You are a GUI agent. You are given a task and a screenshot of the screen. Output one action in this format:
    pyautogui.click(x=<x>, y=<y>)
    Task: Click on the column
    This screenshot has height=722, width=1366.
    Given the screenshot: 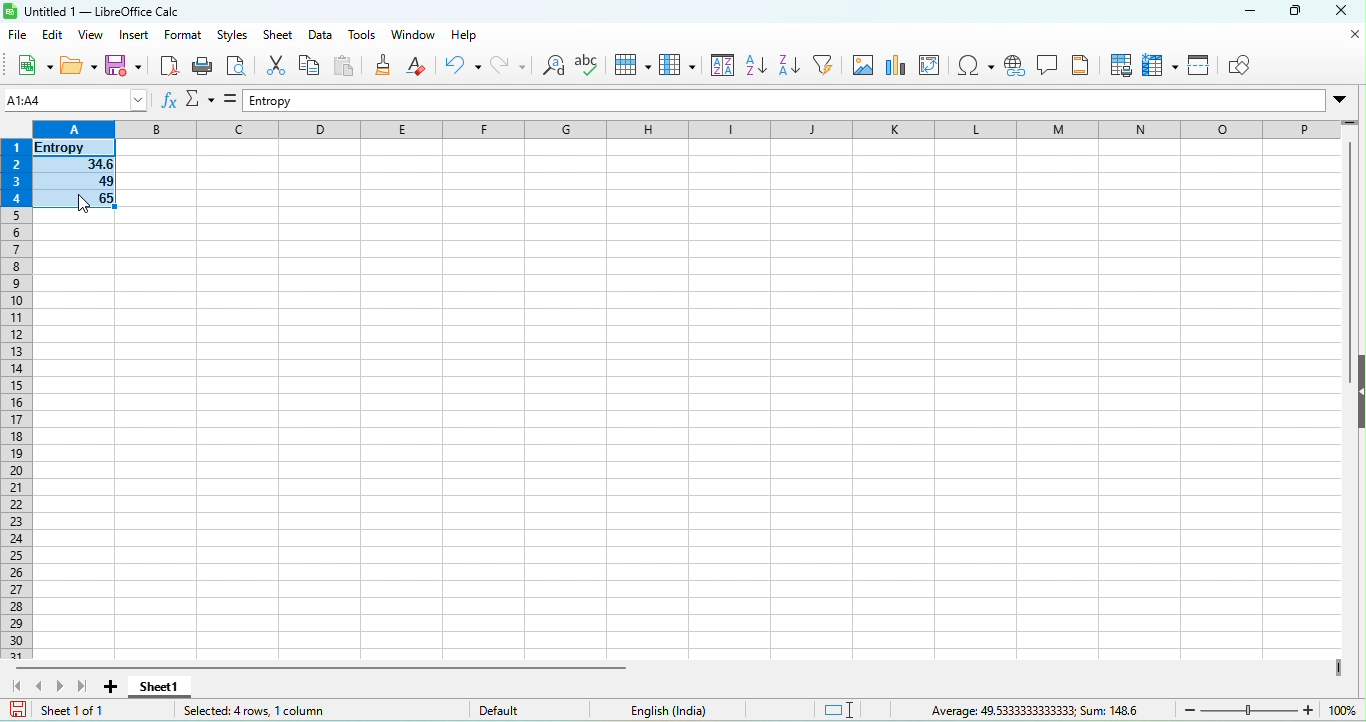 What is the action you would take?
    pyautogui.click(x=674, y=65)
    